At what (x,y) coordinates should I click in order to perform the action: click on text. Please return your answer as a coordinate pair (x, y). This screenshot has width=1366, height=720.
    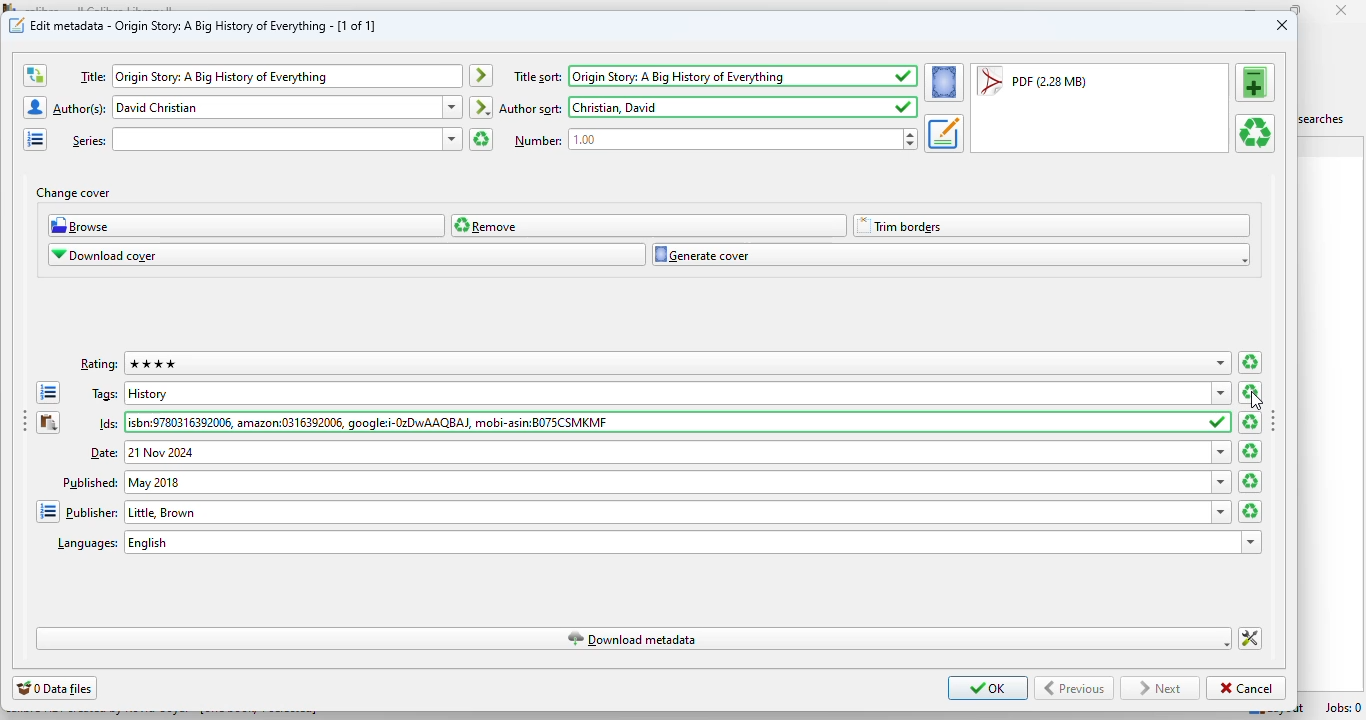
    Looking at the image, I should click on (105, 395).